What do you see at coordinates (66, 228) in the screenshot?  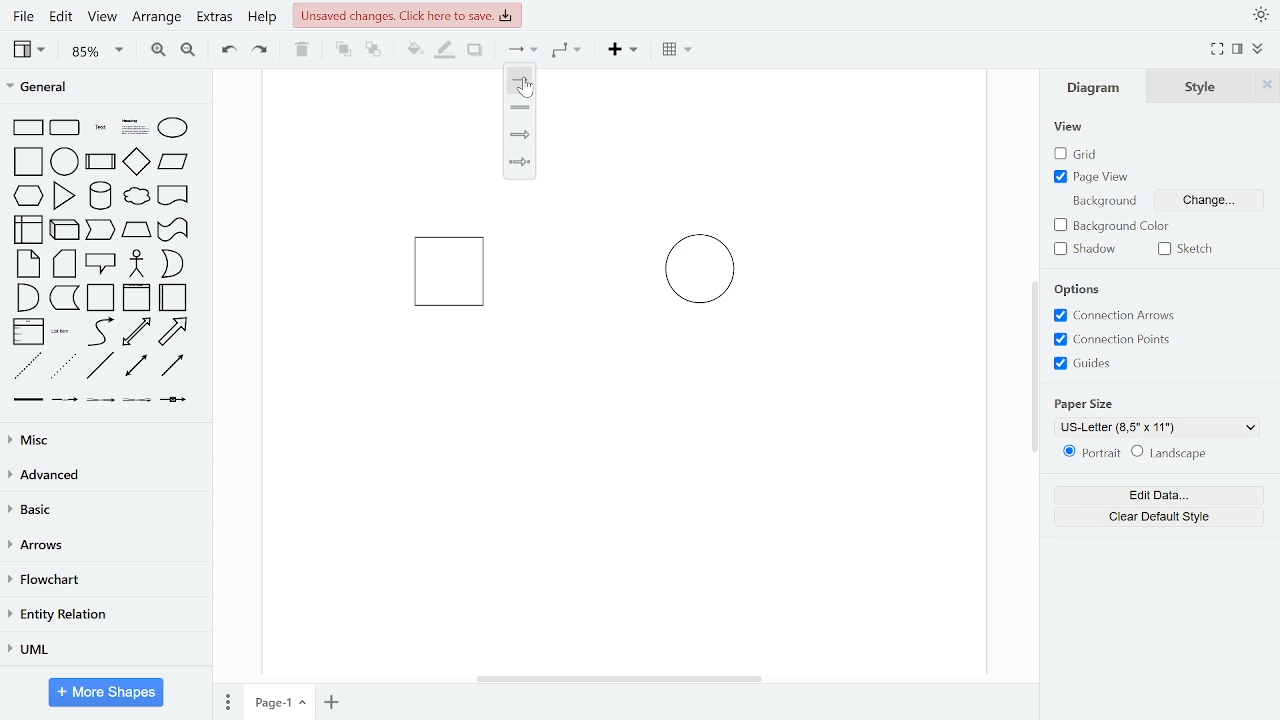 I see `cube` at bounding box center [66, 228].